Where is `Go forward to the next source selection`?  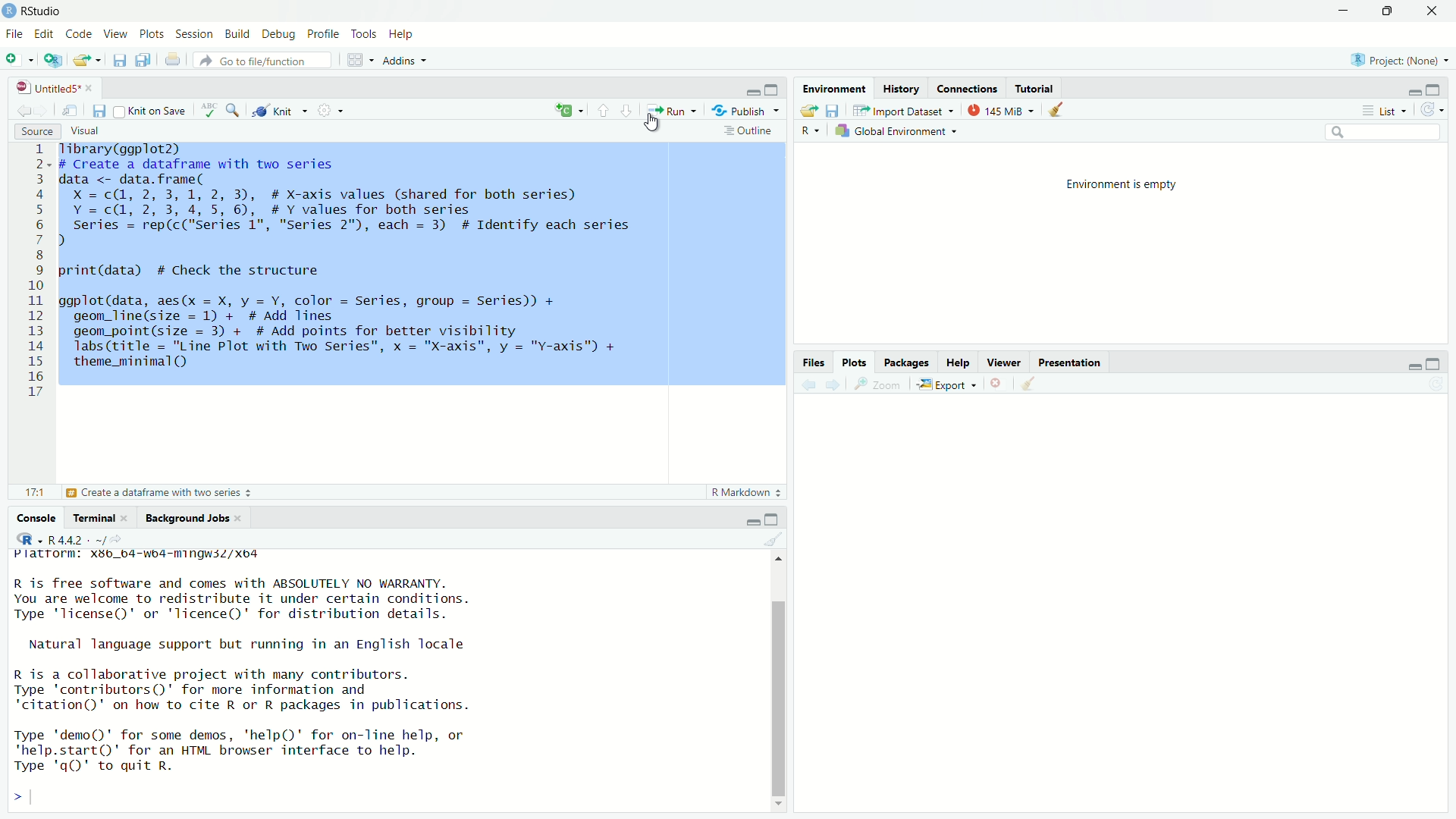 Go forward to the next source selection is located at coordinates (42, 109).